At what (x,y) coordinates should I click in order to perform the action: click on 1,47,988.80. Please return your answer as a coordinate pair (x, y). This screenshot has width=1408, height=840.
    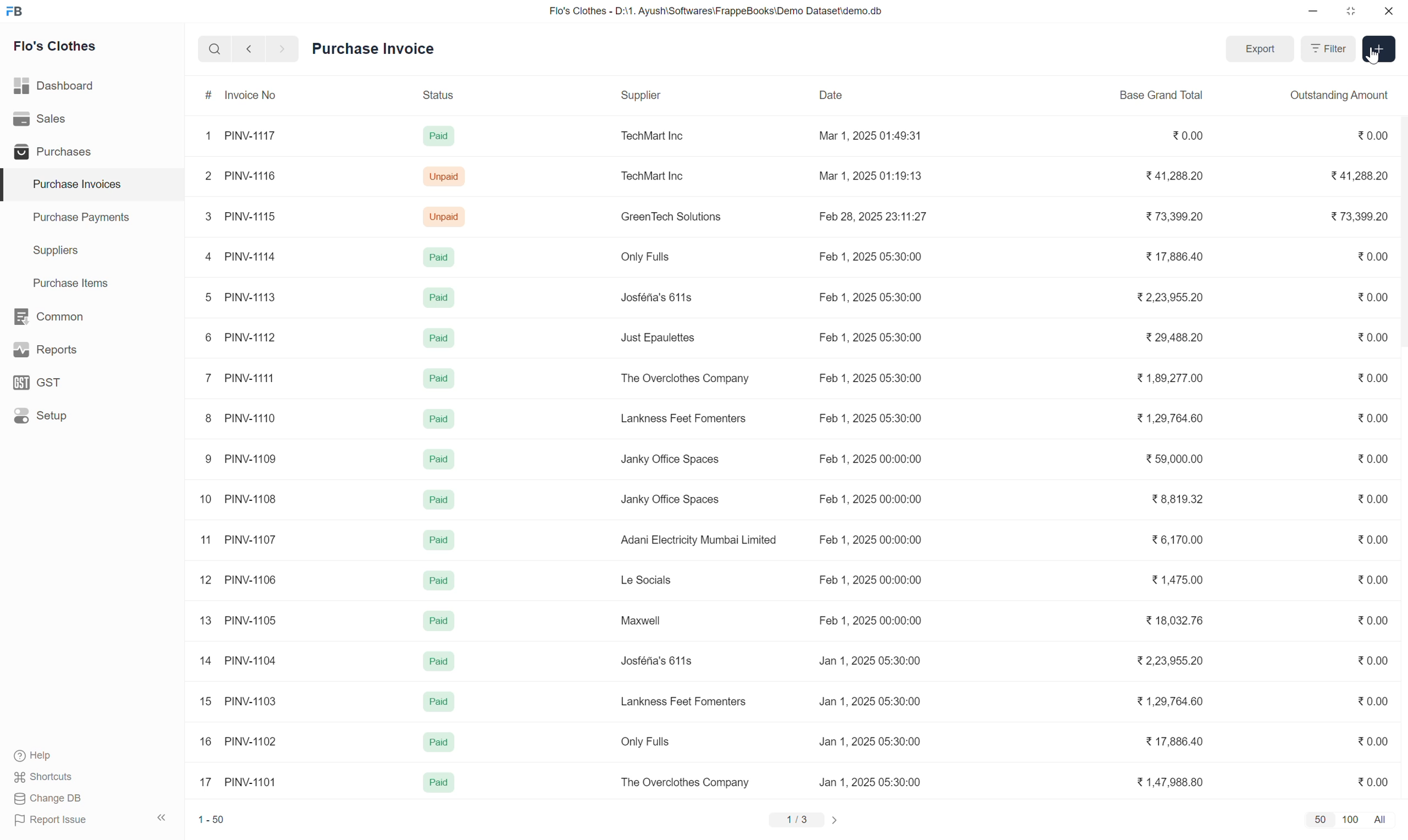
    Looking at the image, I should click on (1170, 782).